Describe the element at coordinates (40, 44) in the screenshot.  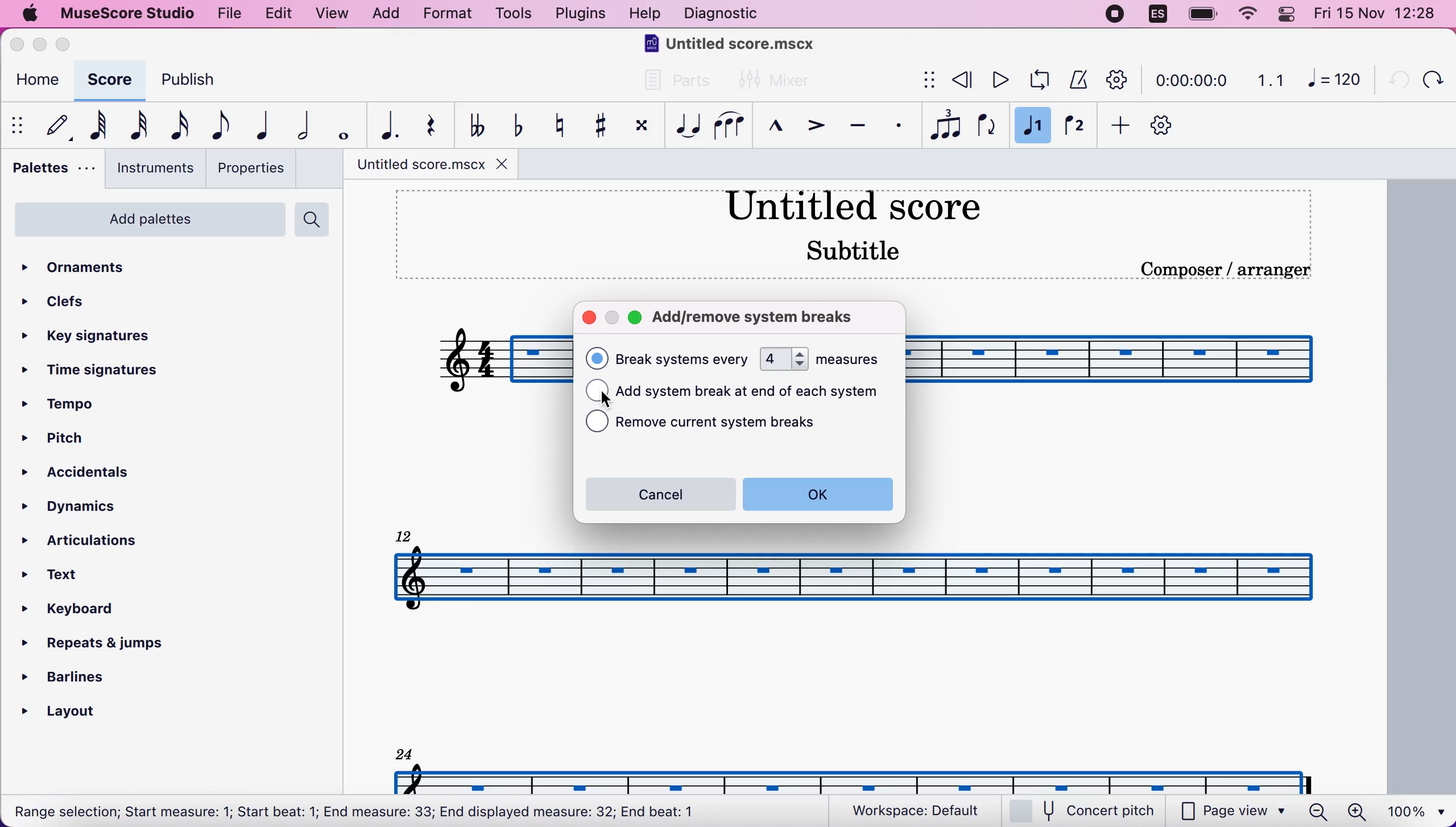
I see `minimize` at that location.